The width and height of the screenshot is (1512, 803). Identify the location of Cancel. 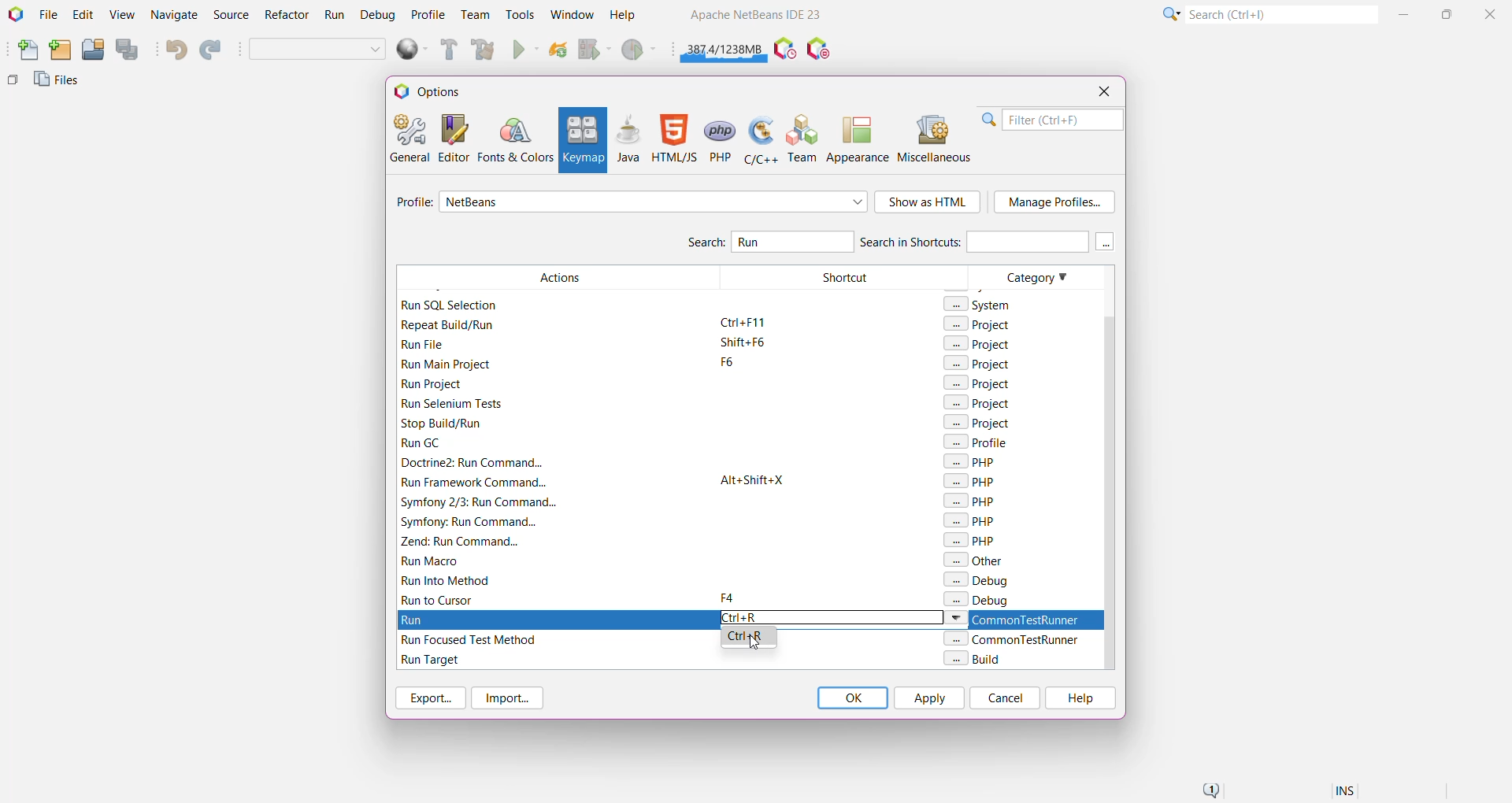
(1005, 698).